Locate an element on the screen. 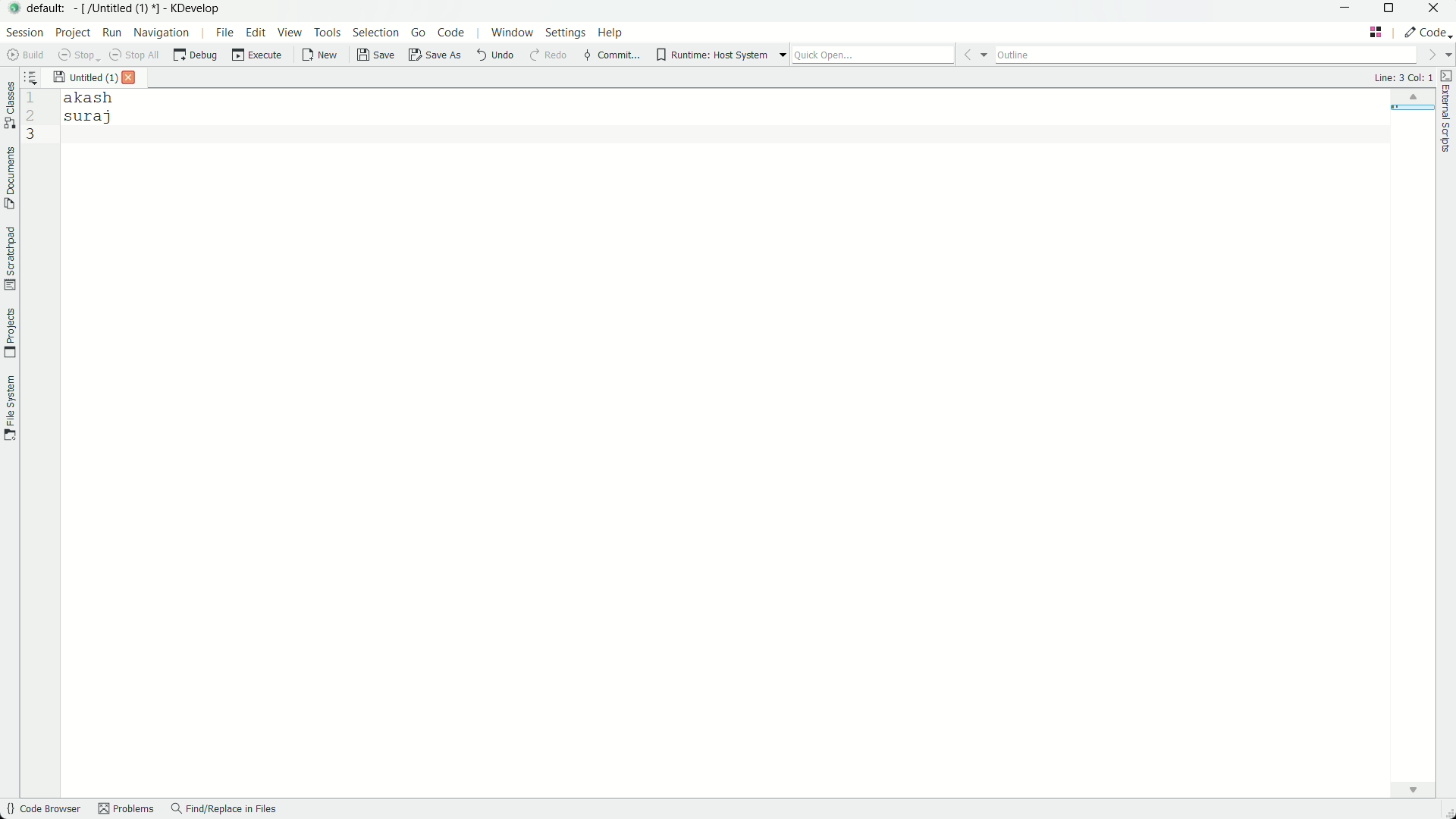 Image resolution: width=1456 pixels, height=819 pixels. settings menu is located at coordinates (566, 33).